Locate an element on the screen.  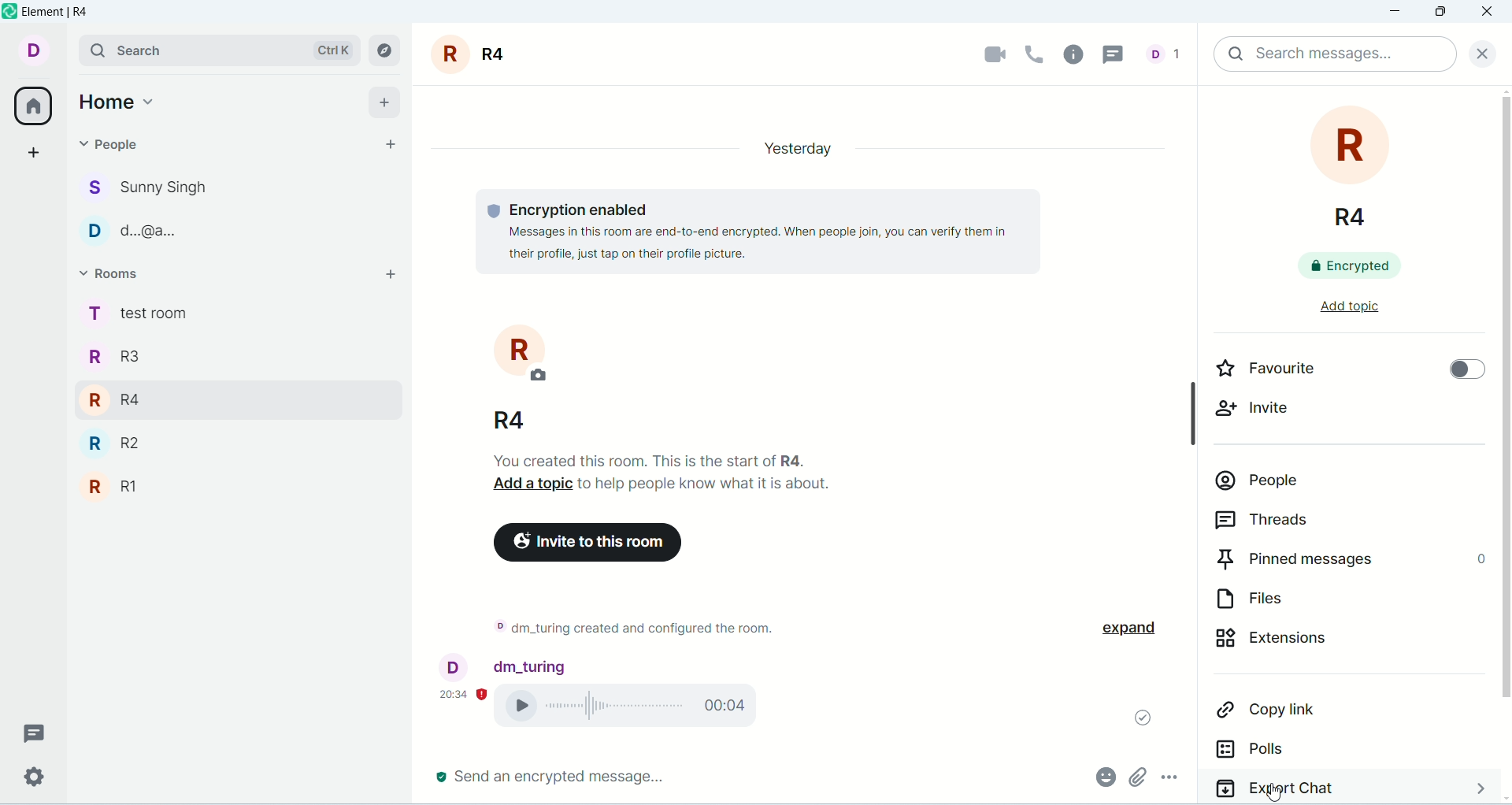
emoji is located at coordinates (1103, 775).